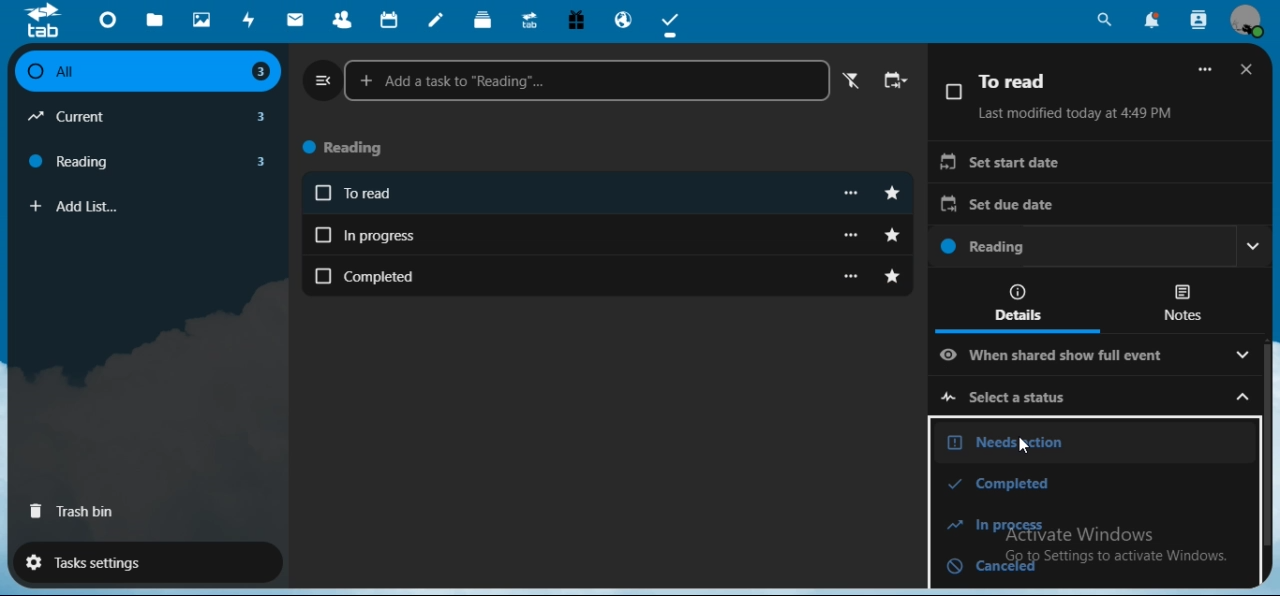 Image resolution: width=1280 pixels, height=596 pixels. Describe the element at coordinates (854, 233) in the screenshot. I see `more` at that location.